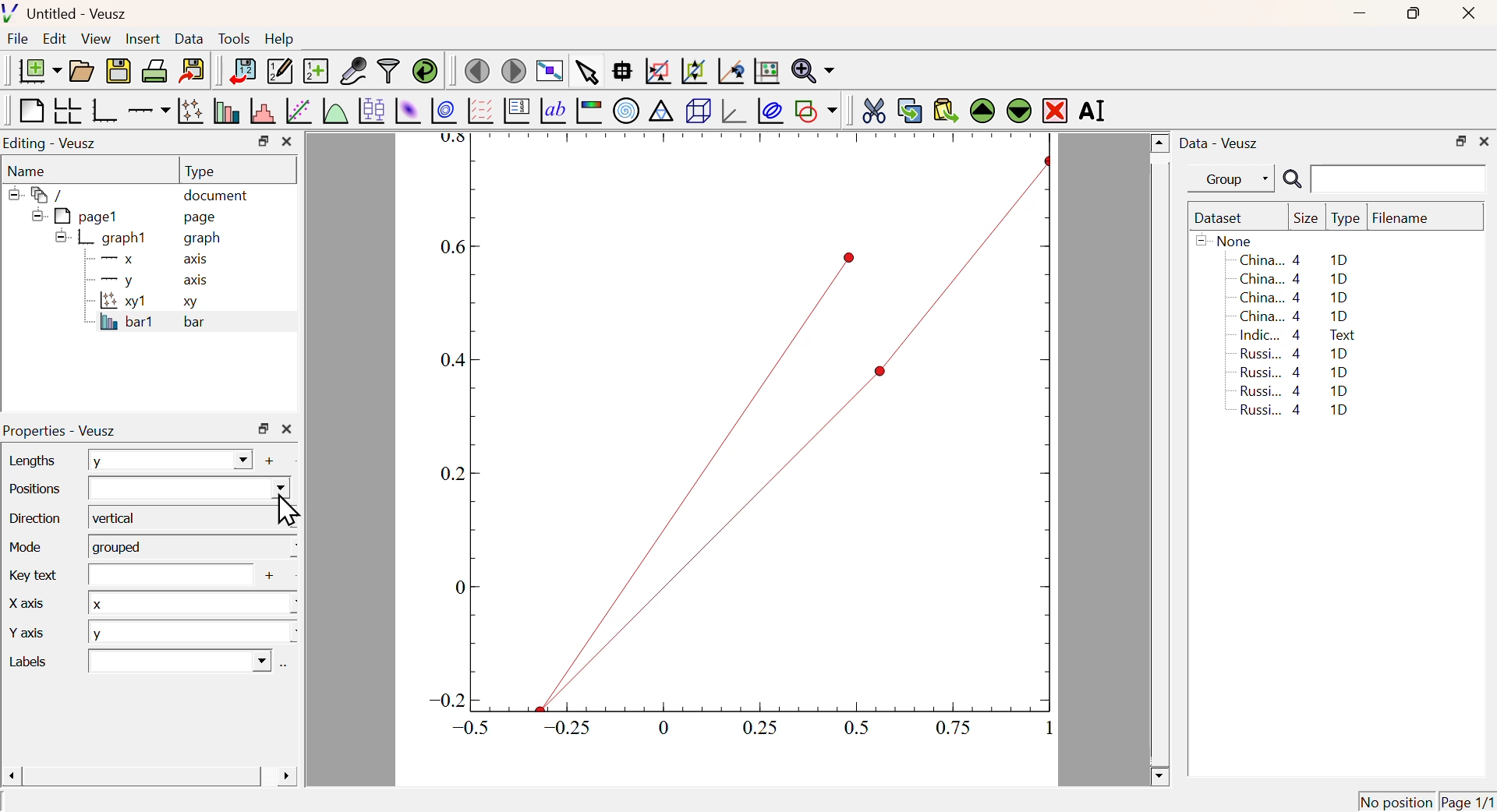 The height and width of the screenshot is (812, 1497). Describe the element at coordinates (66, 110) in the screenshot. I see `Arrange graph in grid` at that location.